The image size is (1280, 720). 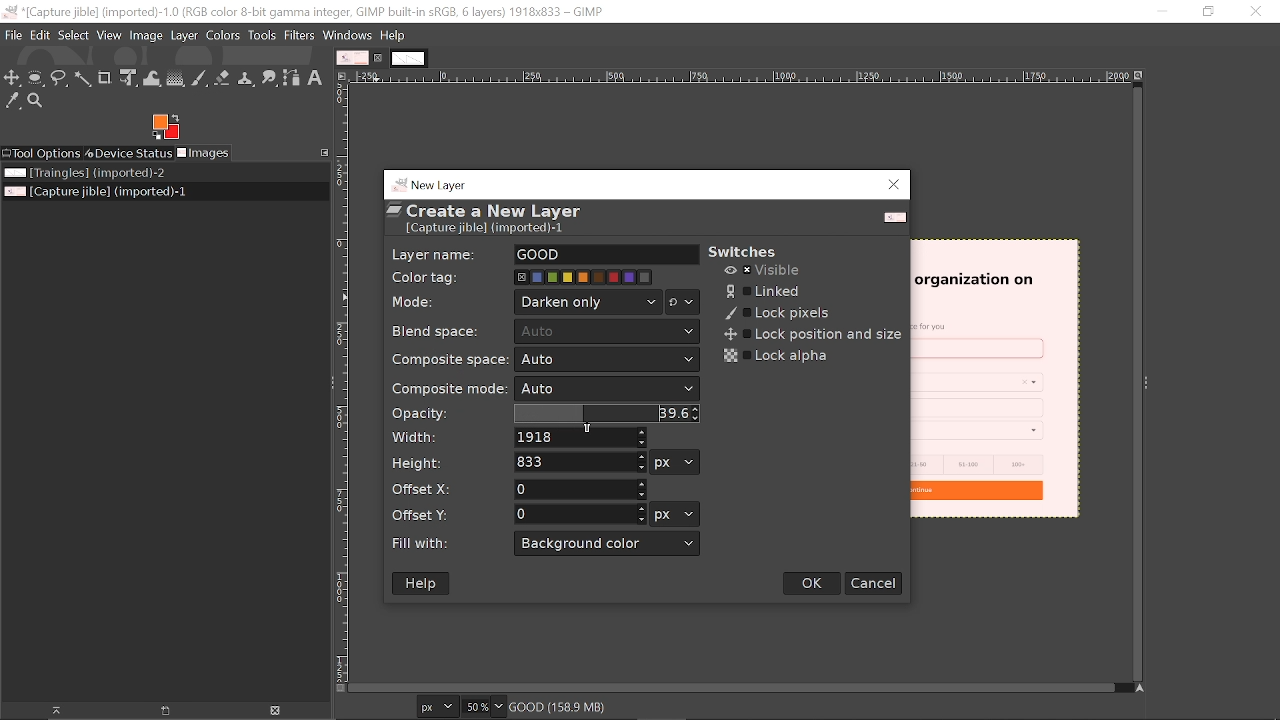 What do you see at coordinates (778, 314) in the screenshot?
I see `Lock pixels` at bounding box center [778, 314].